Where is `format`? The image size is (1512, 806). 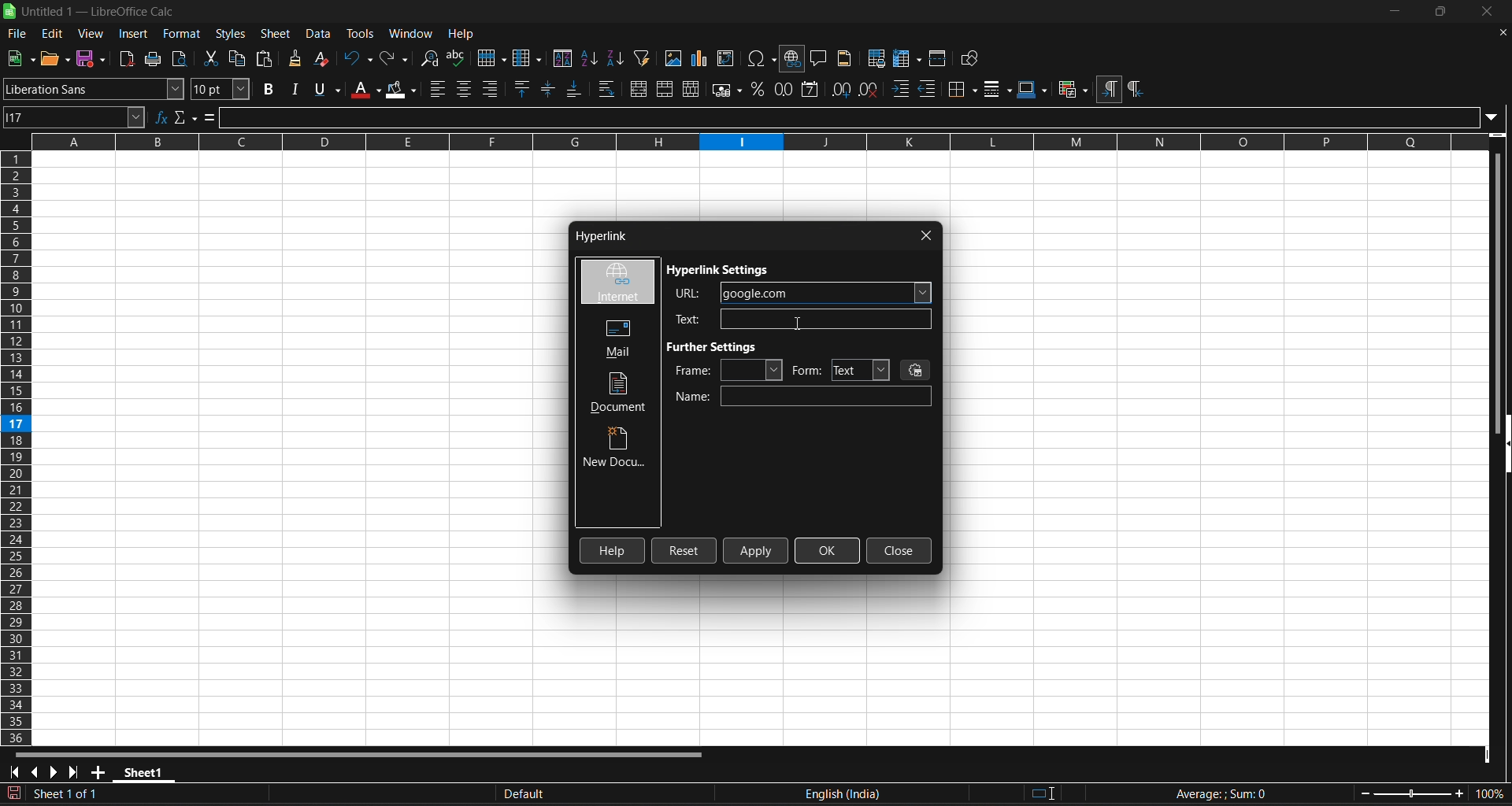 format is located at coordinates (180, 34).